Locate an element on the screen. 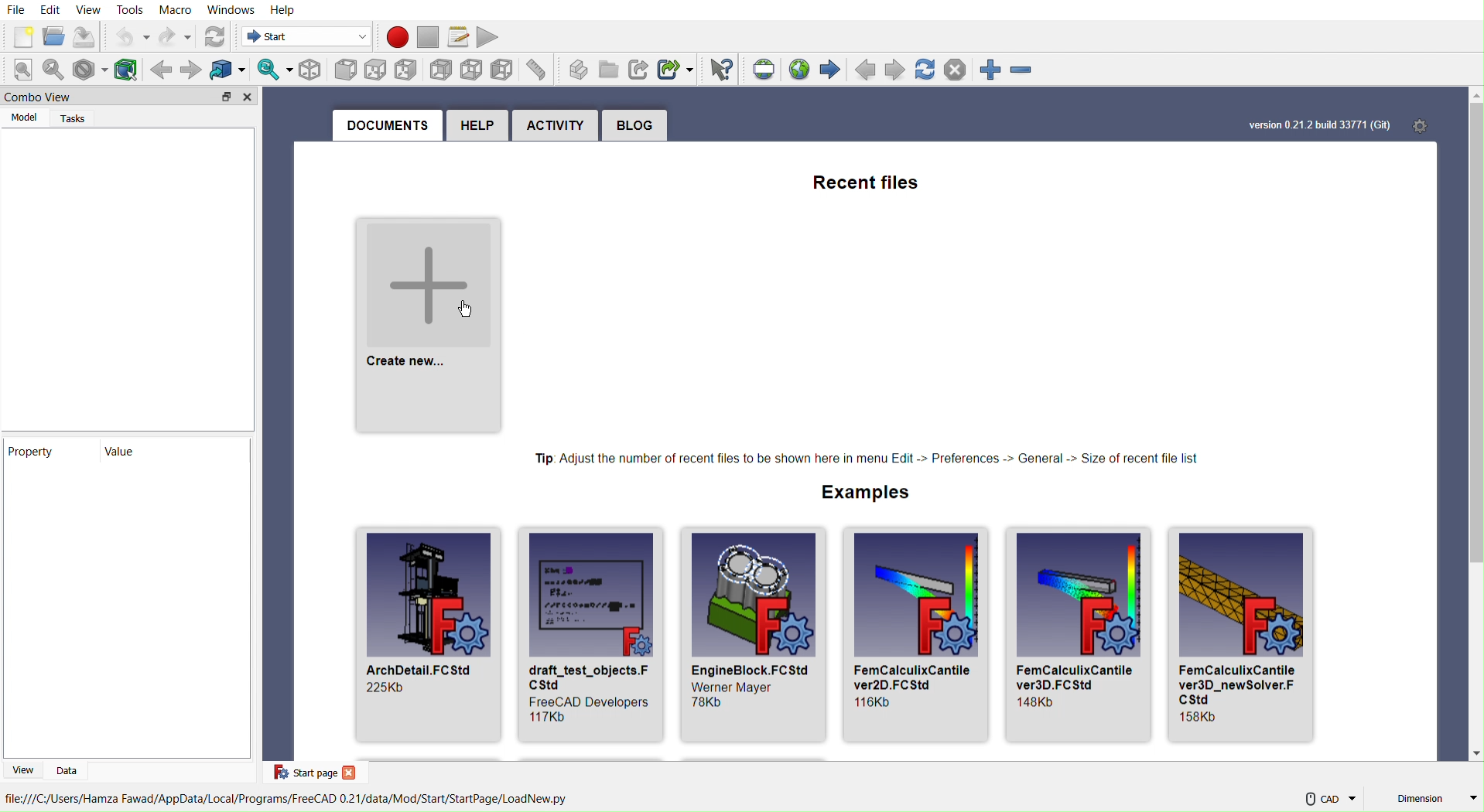 The width and height of the screenshot is (1484, 812). Activity is located at coordinates (556, 126).